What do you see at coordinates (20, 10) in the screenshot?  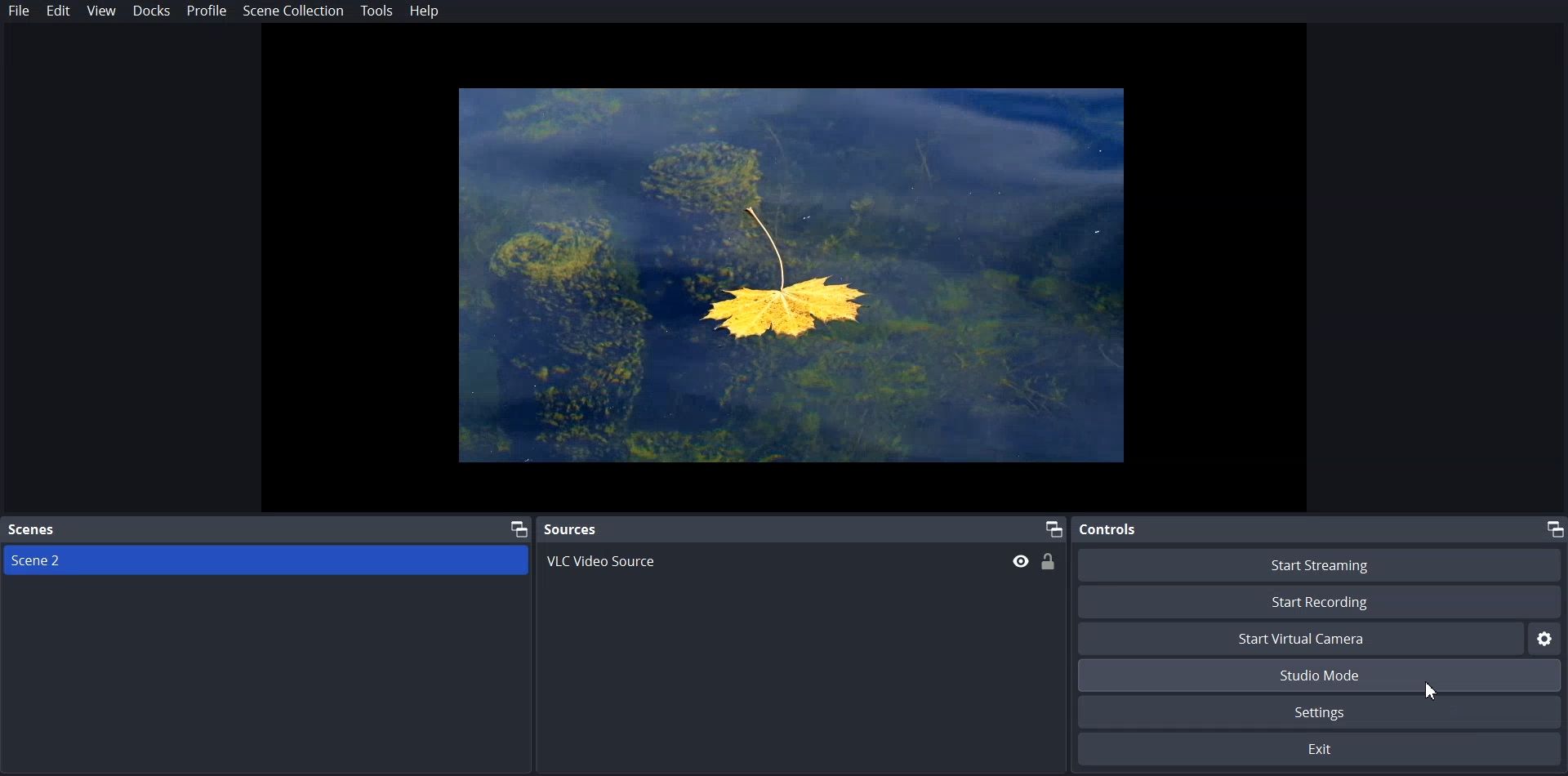 I see `File` at bounding box center [20, 10].